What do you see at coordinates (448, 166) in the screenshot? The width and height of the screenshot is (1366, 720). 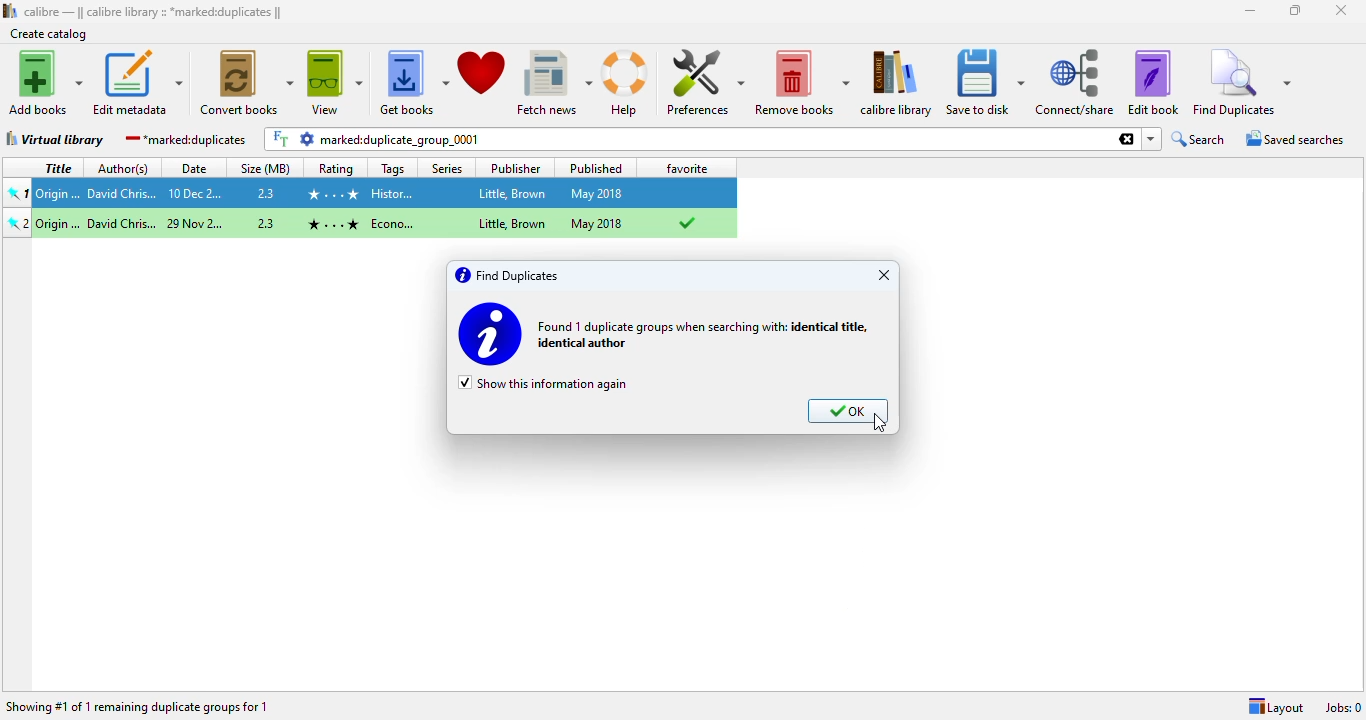 I see `series` at bounding box center [448, 166].